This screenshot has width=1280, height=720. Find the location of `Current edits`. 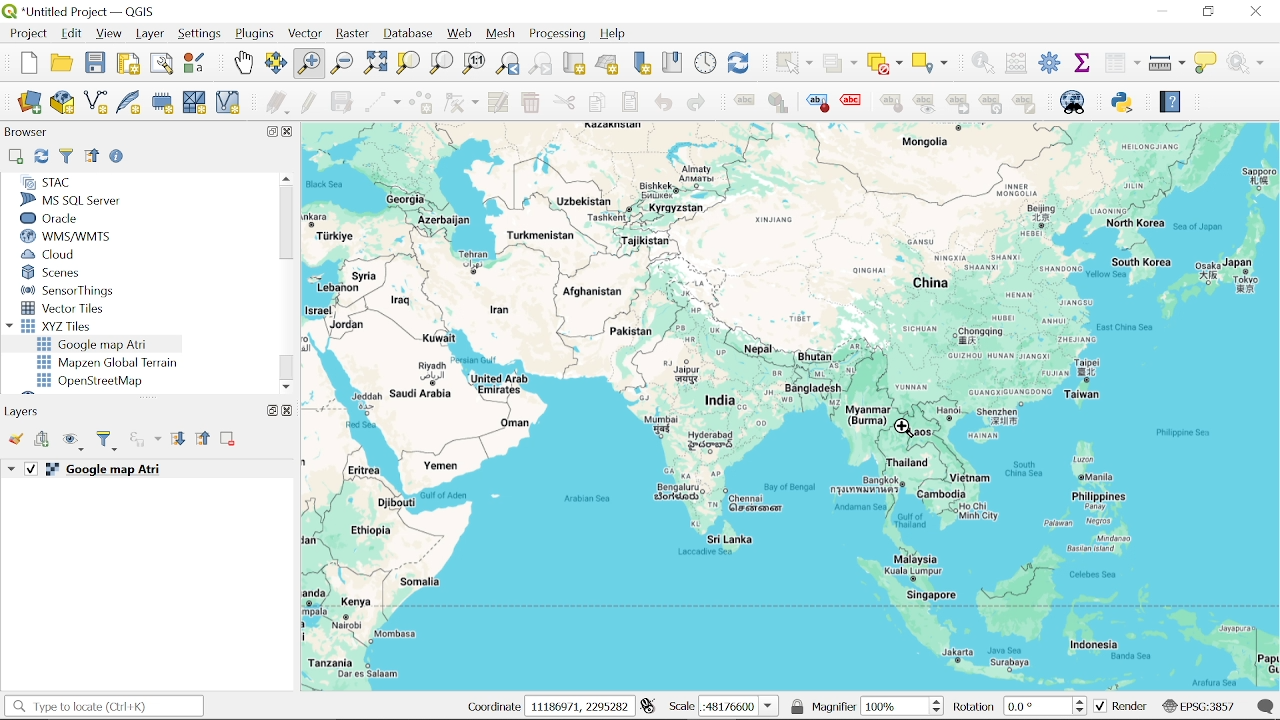

Current edits is located at coordinates (279, 104).